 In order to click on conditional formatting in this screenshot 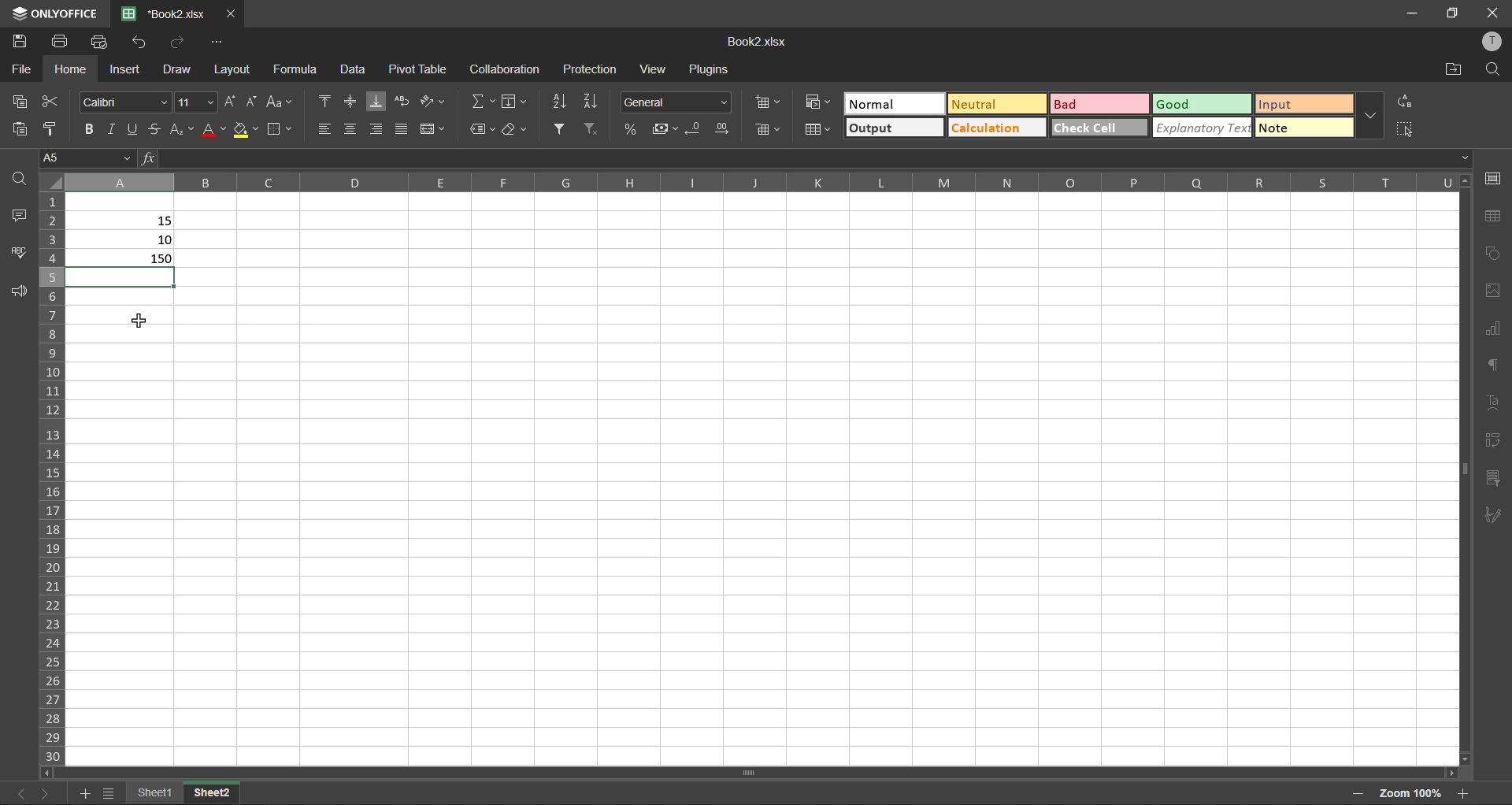, I will do `click(818, 102)`.